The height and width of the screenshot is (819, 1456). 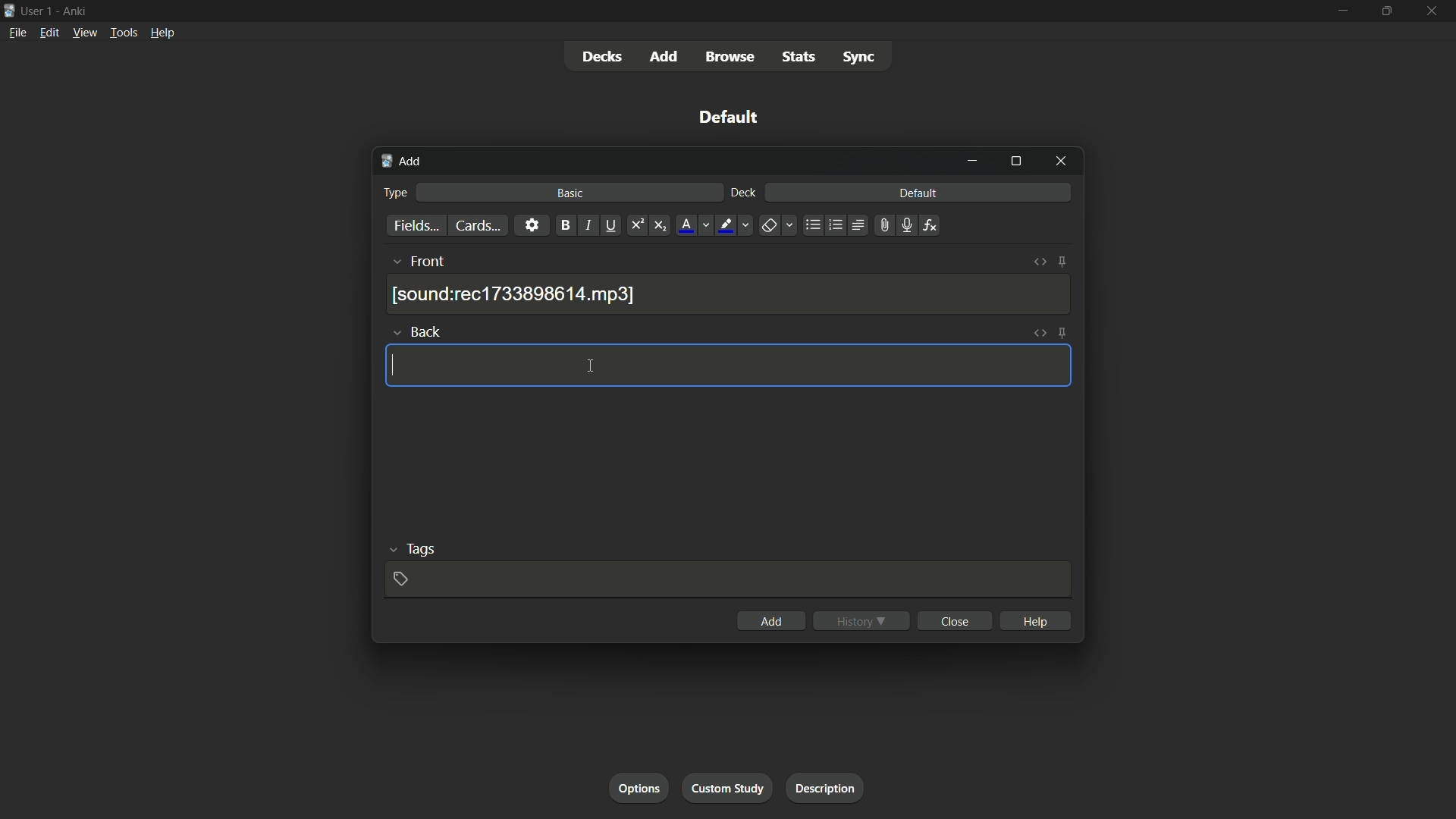 What do you see at coordinates (124, 33) in the screenshot?
I see `tools menu` at bounding box center [124, 33].